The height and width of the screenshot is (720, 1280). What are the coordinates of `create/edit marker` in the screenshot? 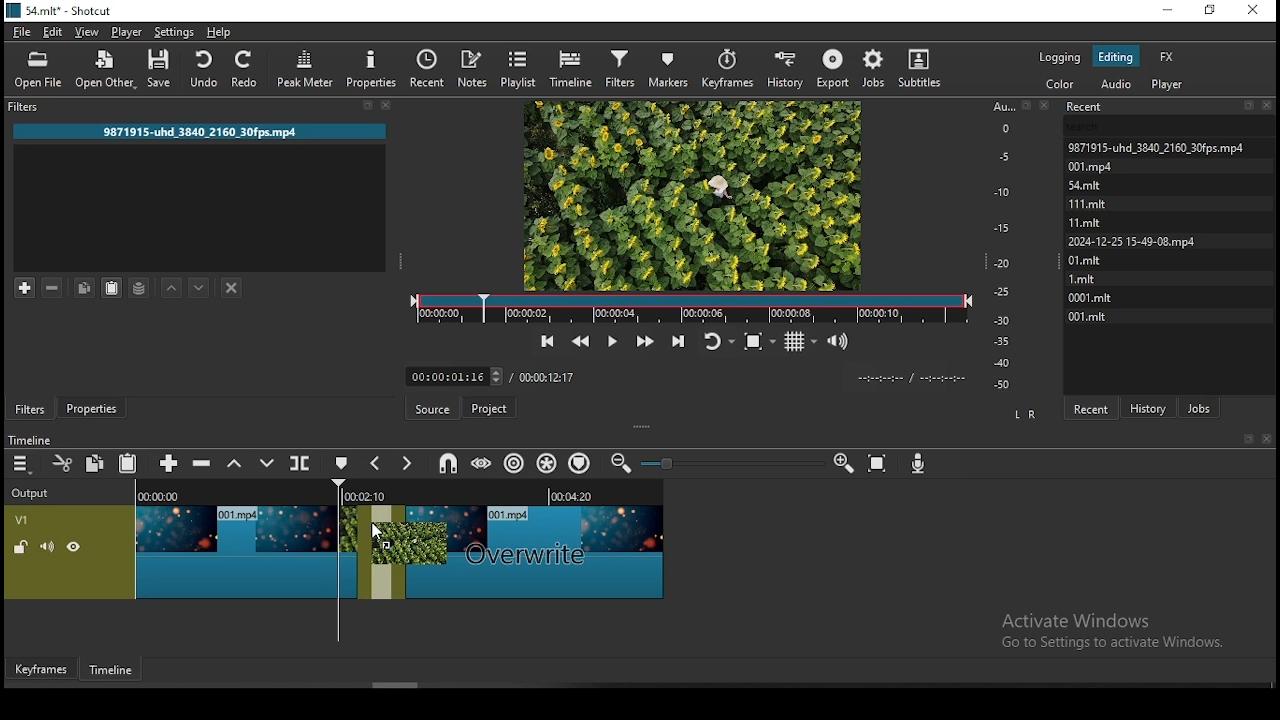 It's located at (339, 464).